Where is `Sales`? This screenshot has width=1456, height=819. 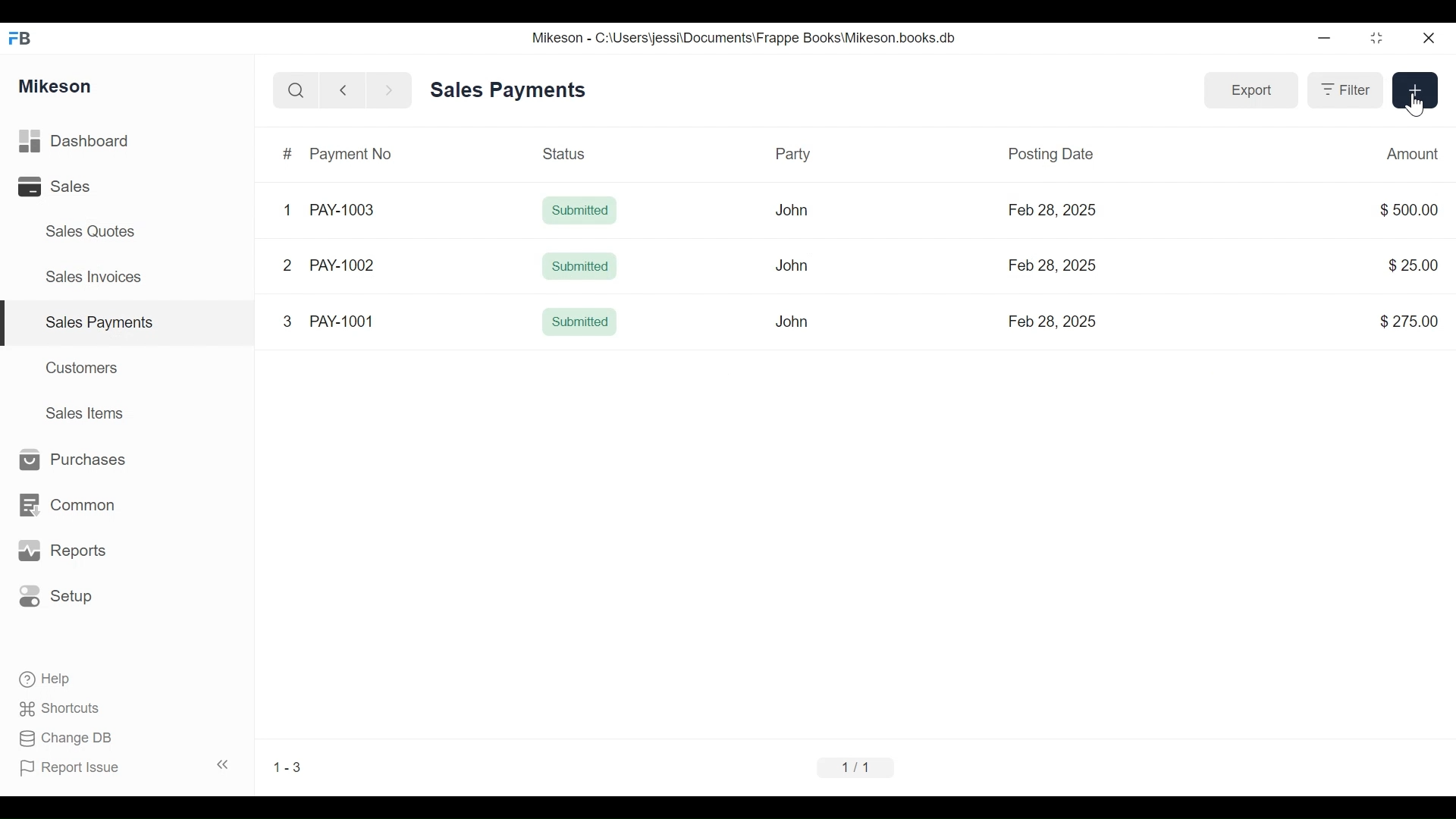
Sales is located at coordinates (53, 188).